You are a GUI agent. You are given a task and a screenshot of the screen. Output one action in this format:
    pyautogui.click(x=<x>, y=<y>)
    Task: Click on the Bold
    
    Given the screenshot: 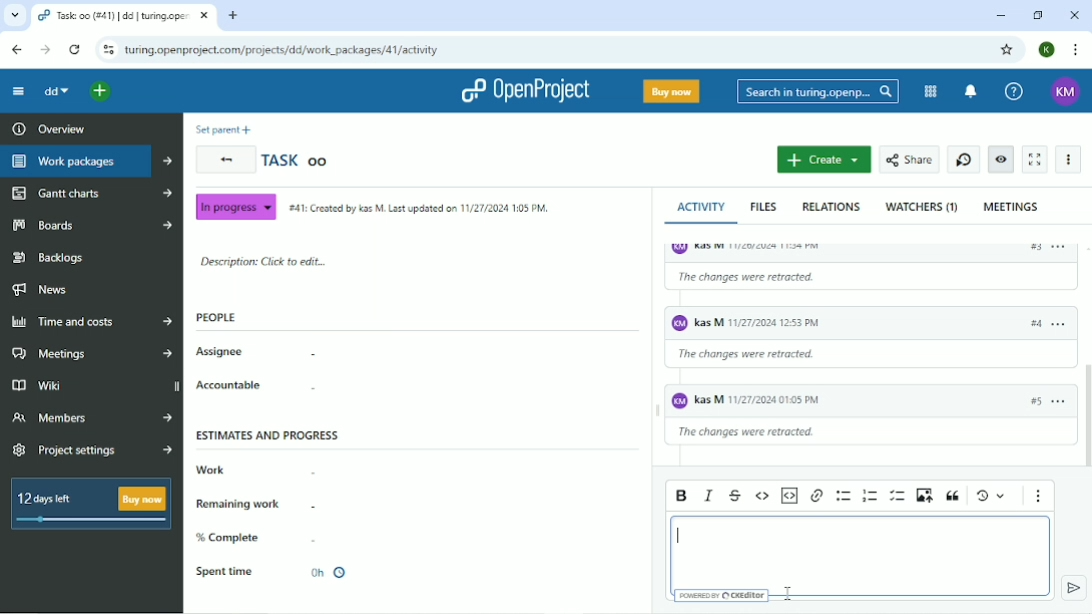 What is the action you would take?
    pyautogui.click(x=681, y=495)
    